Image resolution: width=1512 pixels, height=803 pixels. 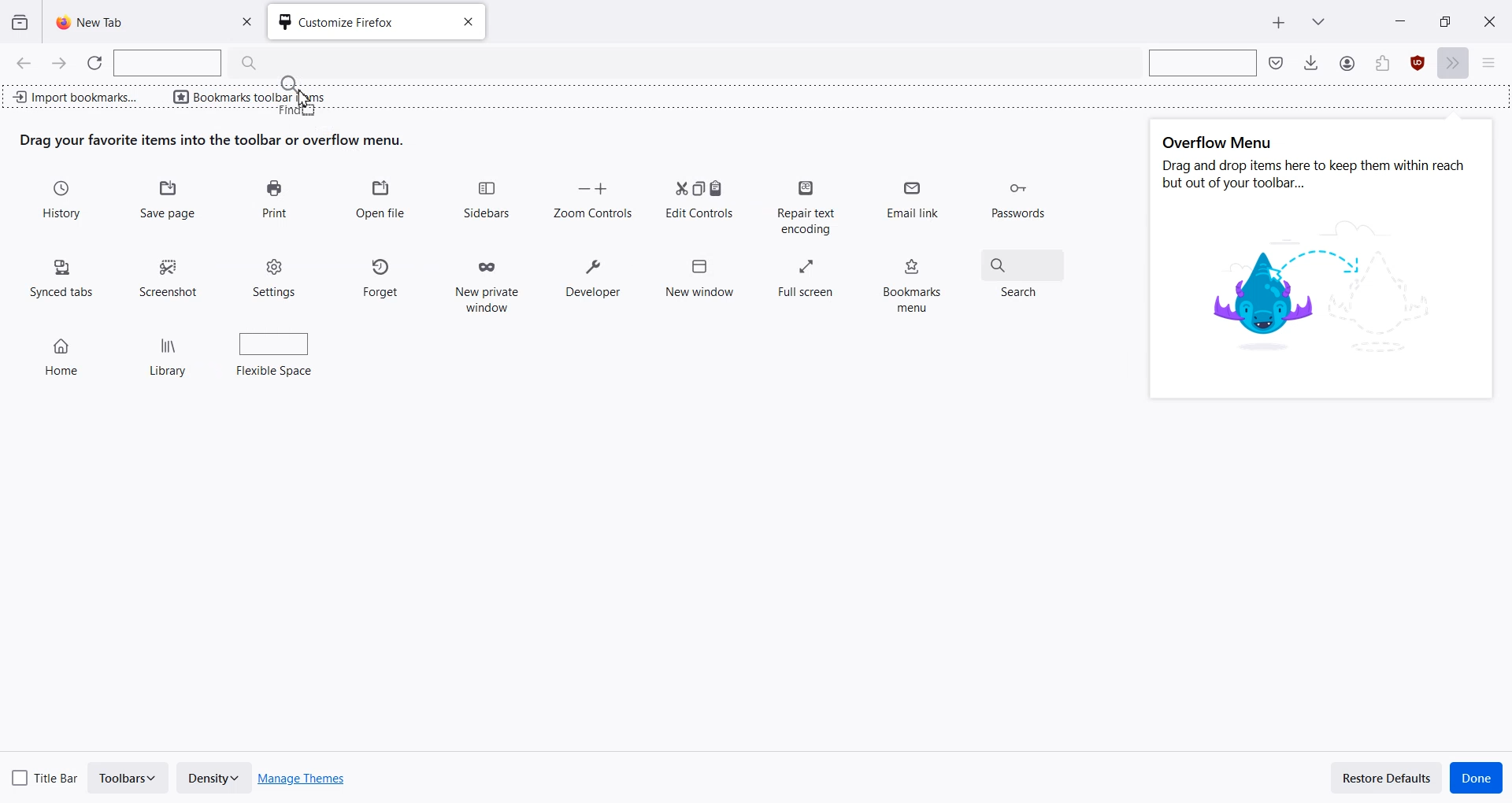 I want to click on Synced tabs, so click(x=62, y=276).